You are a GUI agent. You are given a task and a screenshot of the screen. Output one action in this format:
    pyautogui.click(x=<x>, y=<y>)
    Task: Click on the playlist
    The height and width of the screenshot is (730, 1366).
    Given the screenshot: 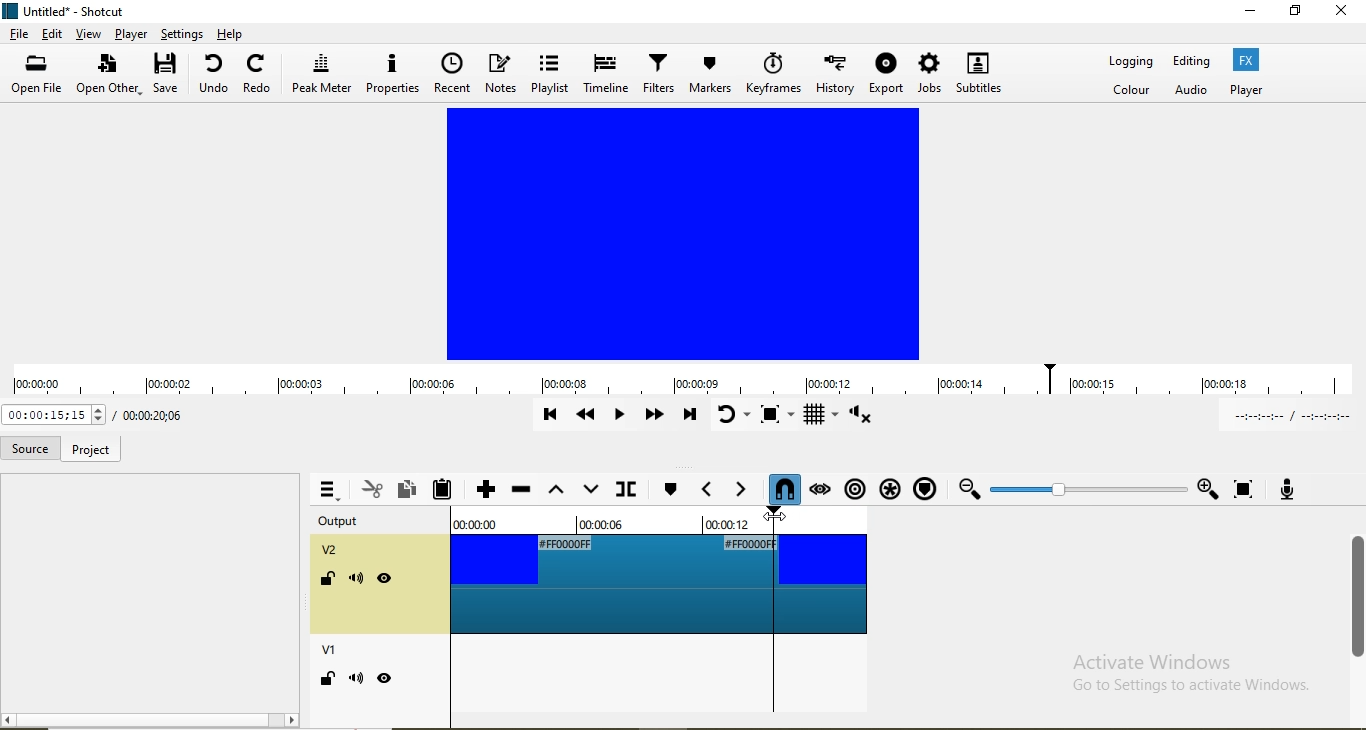 What is the action you would take?
    pyautogui.click(x=550, y=73)
    